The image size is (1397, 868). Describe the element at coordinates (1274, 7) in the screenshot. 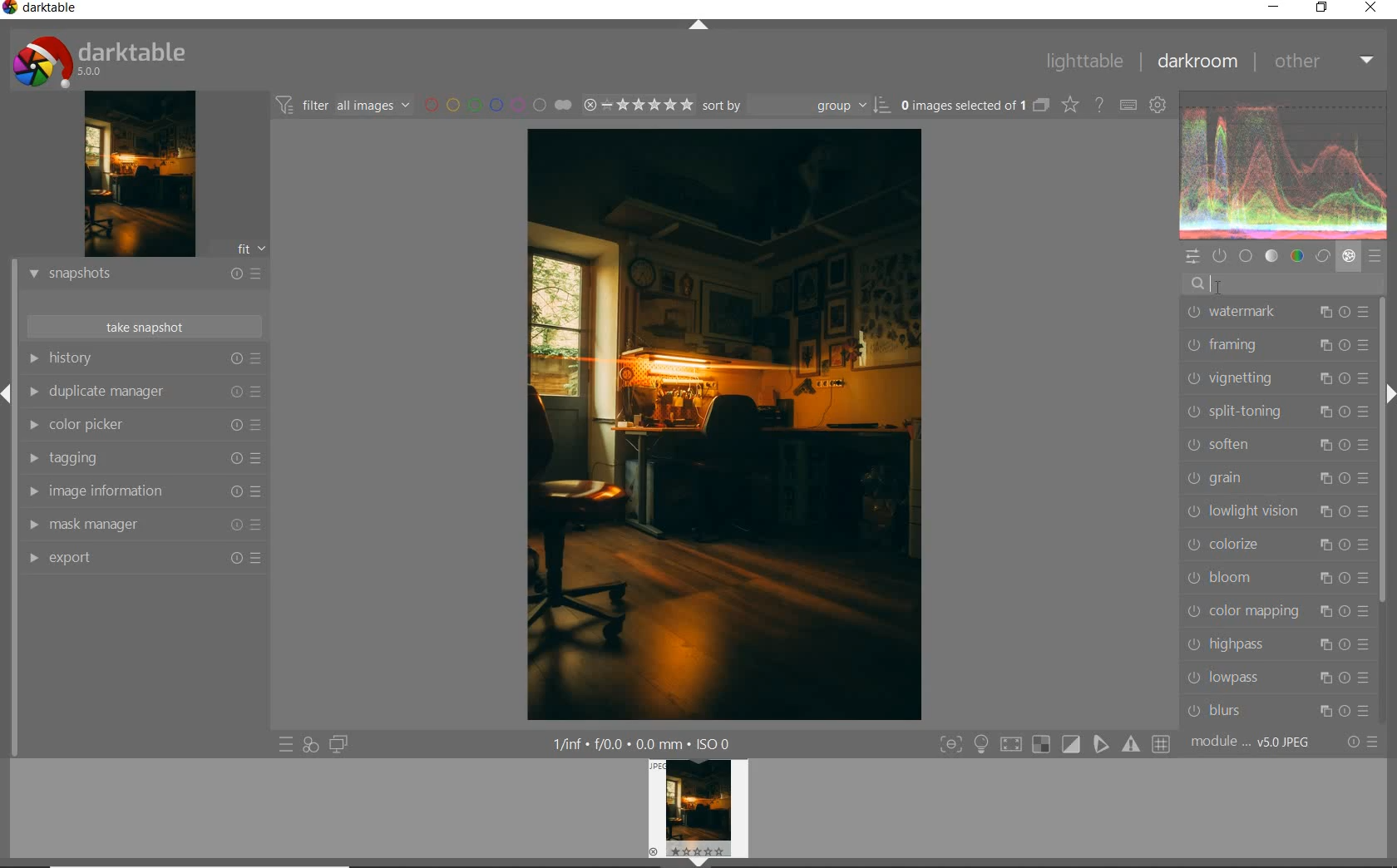

I see `minimize` at that location.